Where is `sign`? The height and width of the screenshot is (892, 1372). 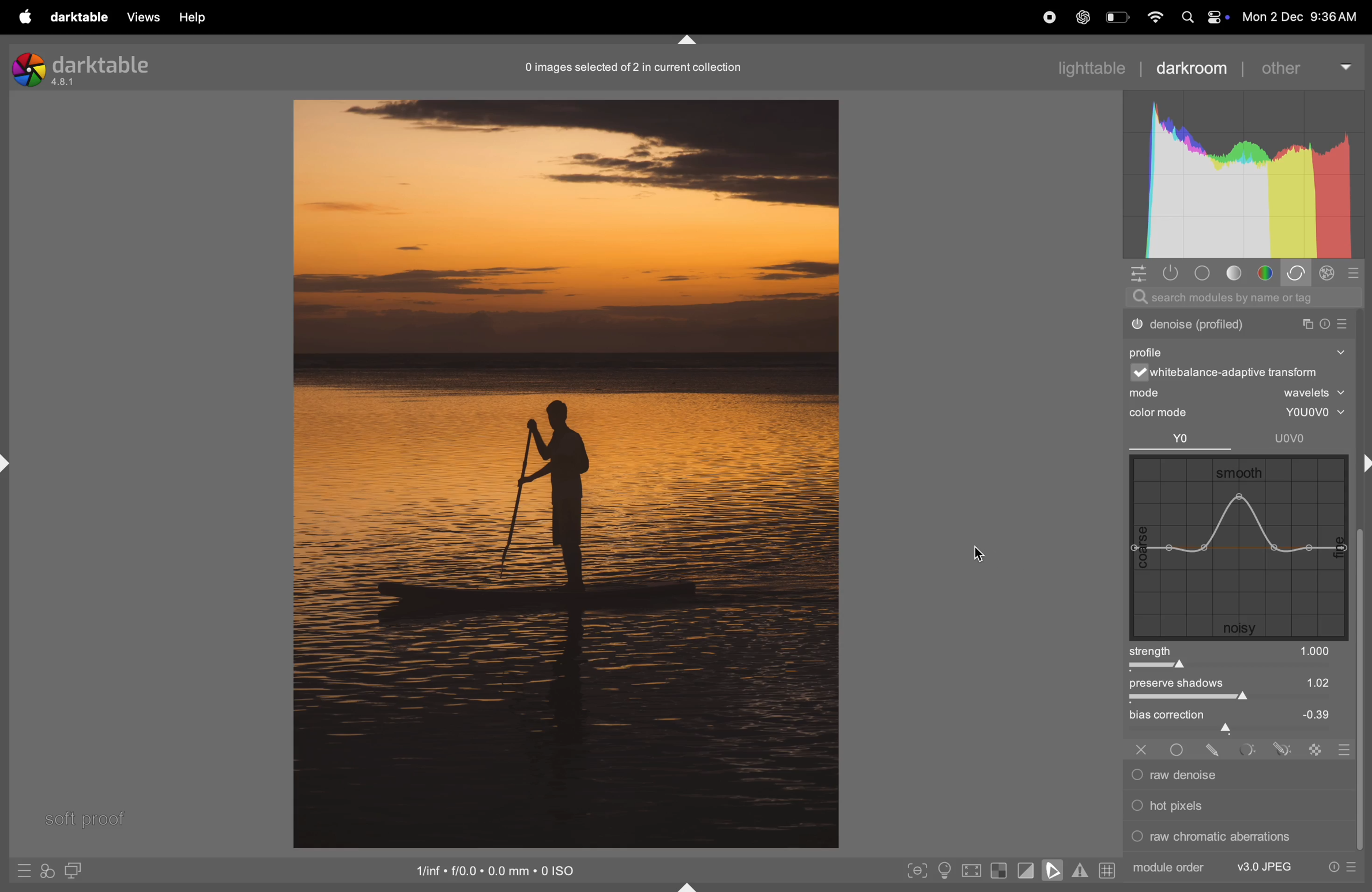
sign is located at coordinates (1280, 749).